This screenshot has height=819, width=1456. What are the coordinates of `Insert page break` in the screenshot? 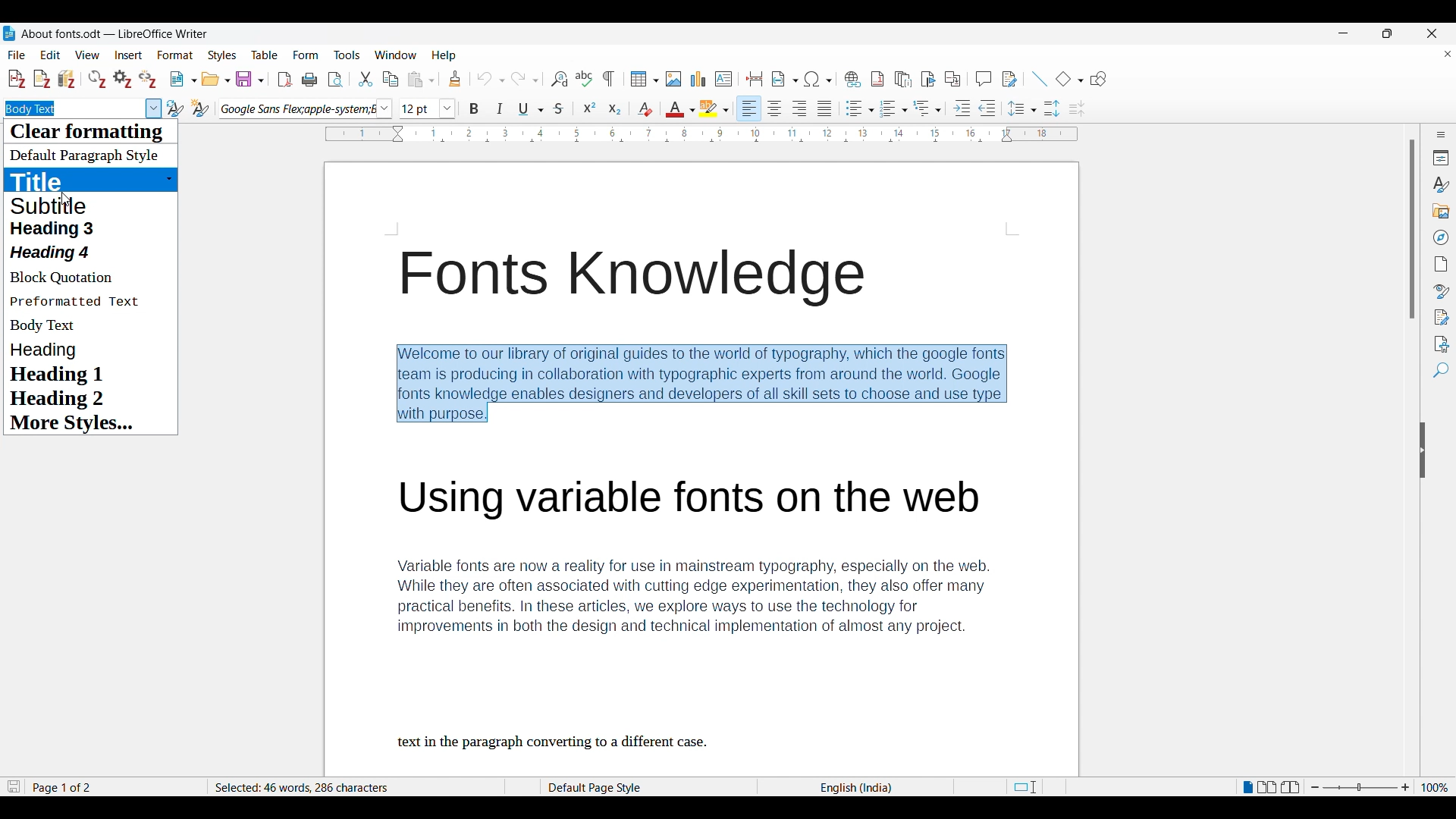 It's located at (755, 79).